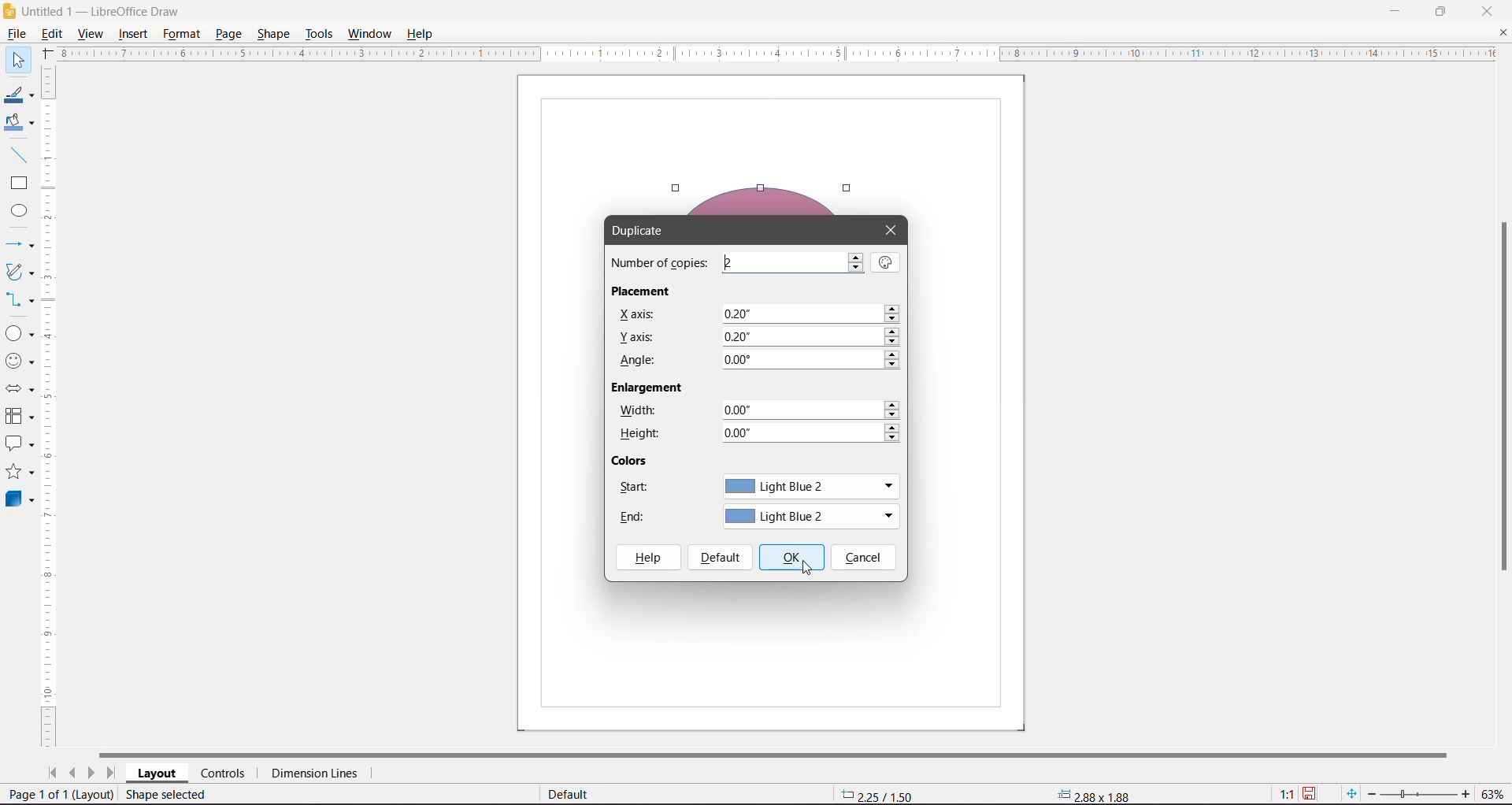 The height and width of the screenshot is (805, 1512). I want to click on current page, so click(60, 792).